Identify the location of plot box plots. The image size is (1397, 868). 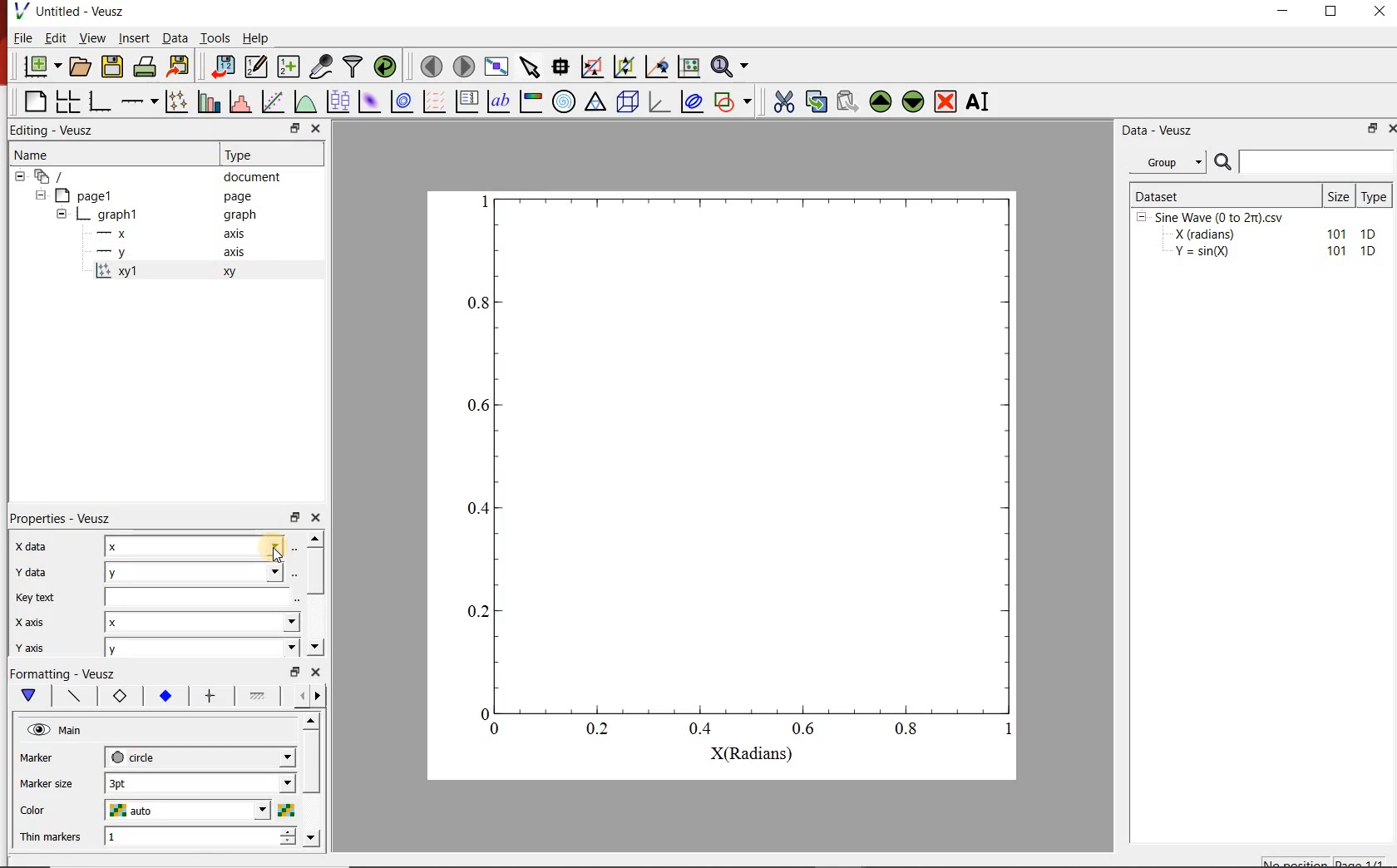
(339, 102).